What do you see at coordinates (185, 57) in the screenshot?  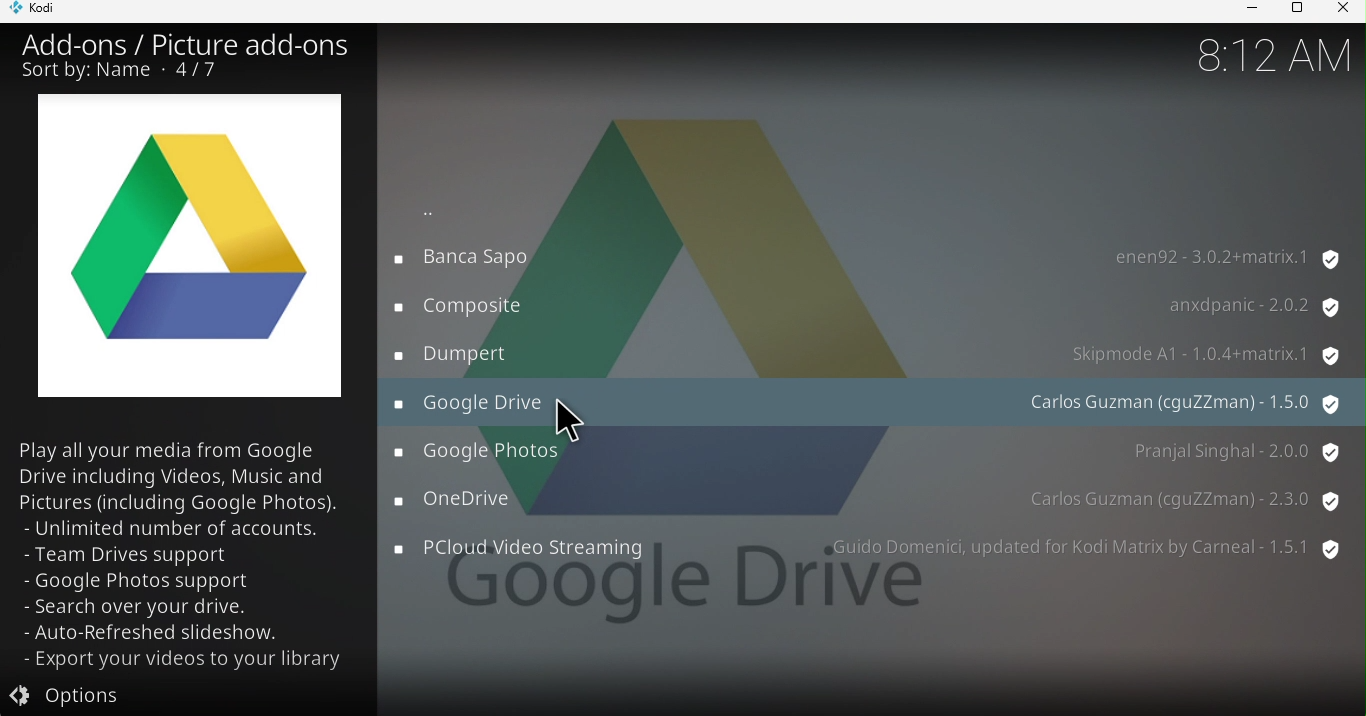 I see `Add-ons/Picture add-ons Sort by name` at bounding box center [185, 57].